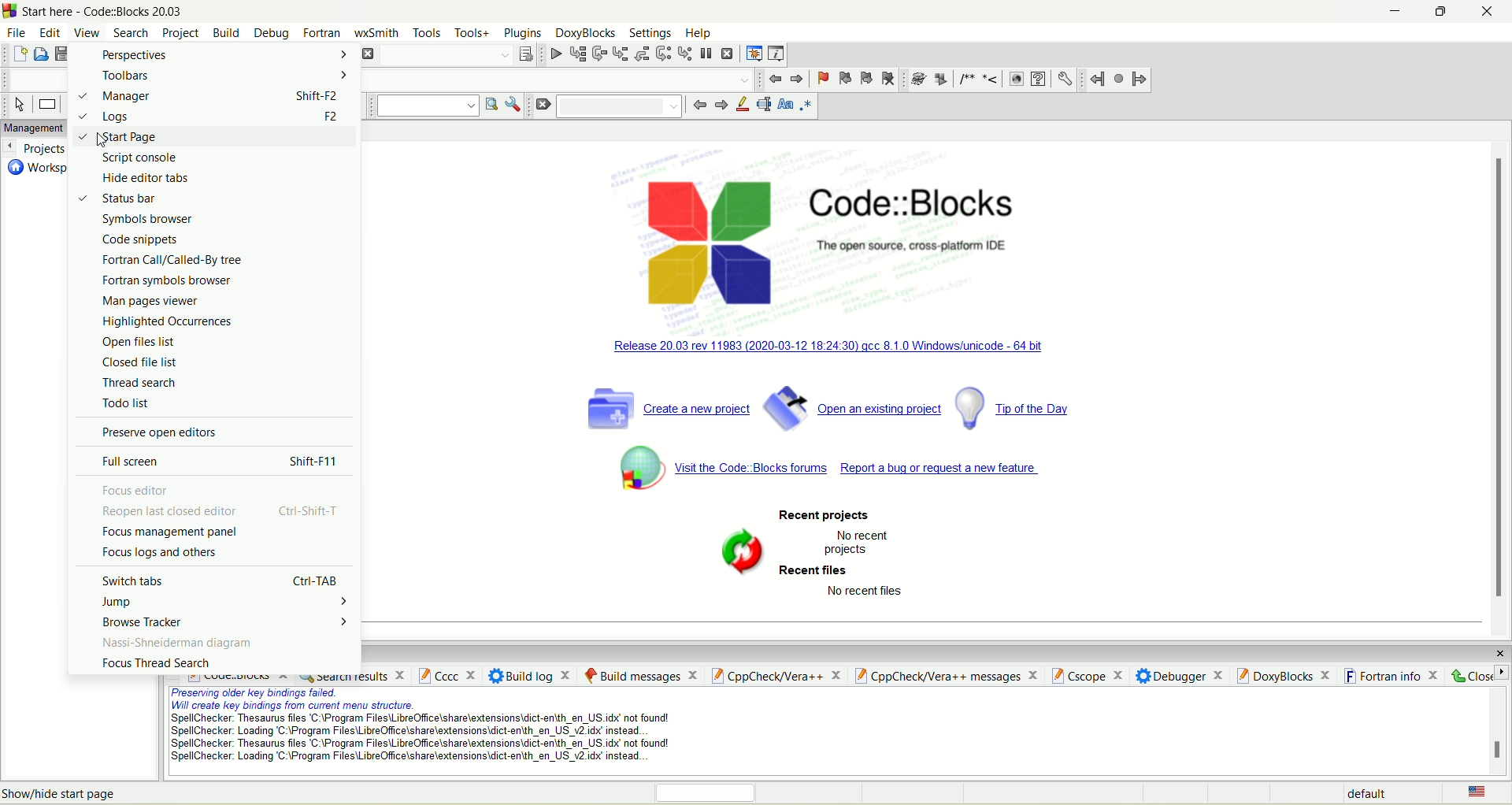 The image size is (1512, 805). What do you see at coordinates (101, 139) in the screenshot?
I see `Cursor` at bounding box center [101, 139].